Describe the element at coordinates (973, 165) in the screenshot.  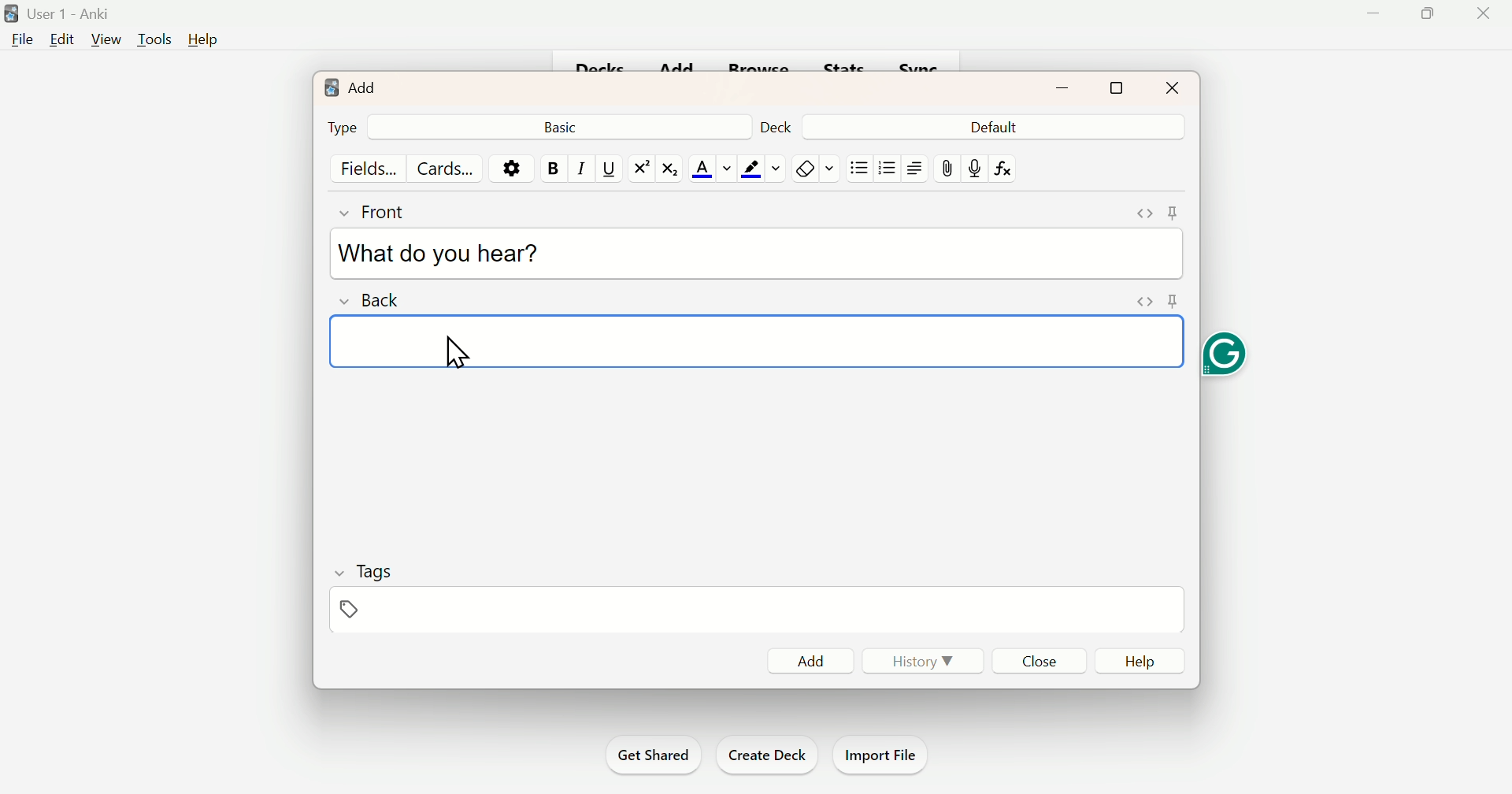
I see `Mic` at that location.